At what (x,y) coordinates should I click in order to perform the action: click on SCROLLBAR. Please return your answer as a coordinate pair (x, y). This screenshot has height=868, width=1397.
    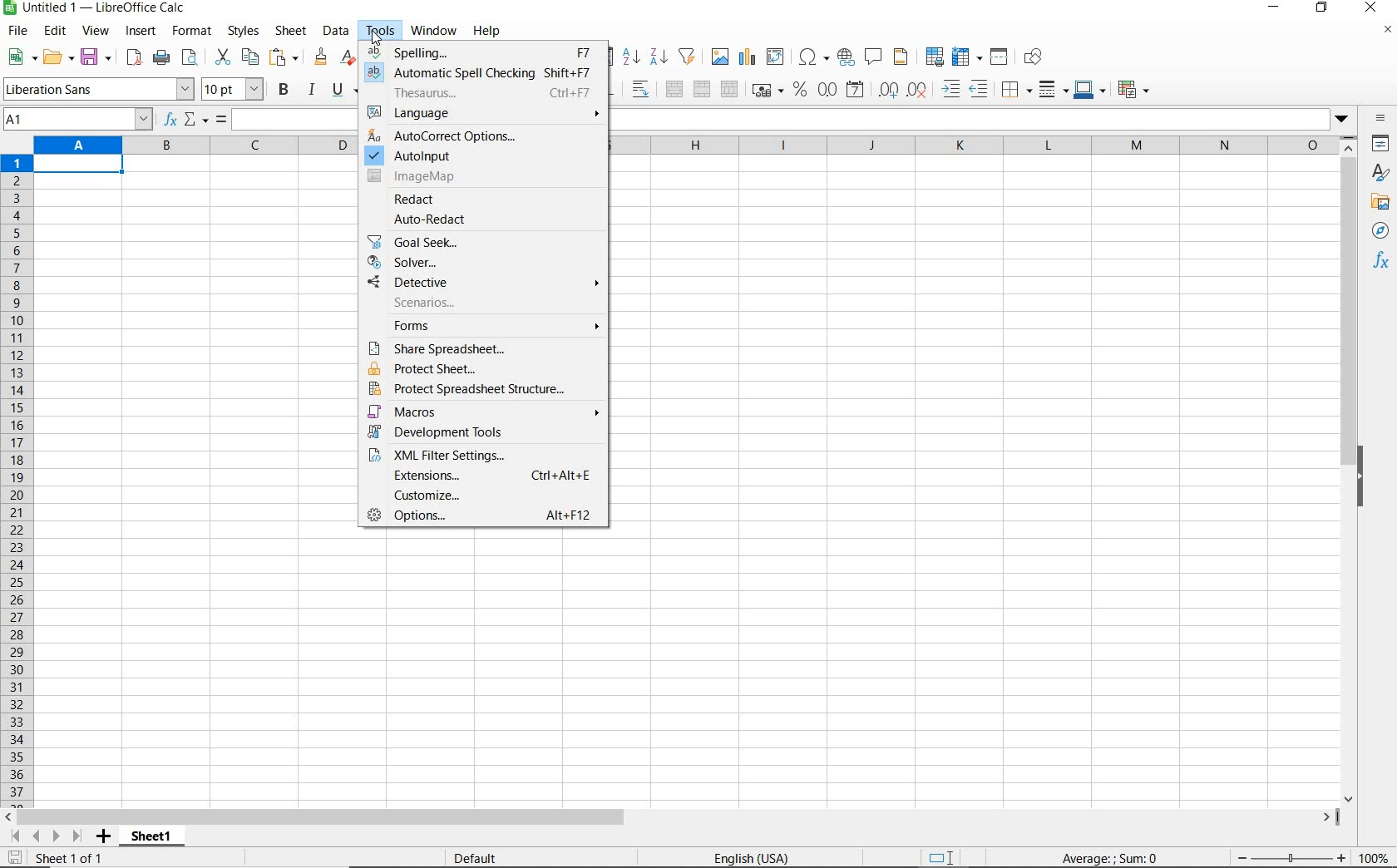
    Looking at the image, I should click on (673, 816).